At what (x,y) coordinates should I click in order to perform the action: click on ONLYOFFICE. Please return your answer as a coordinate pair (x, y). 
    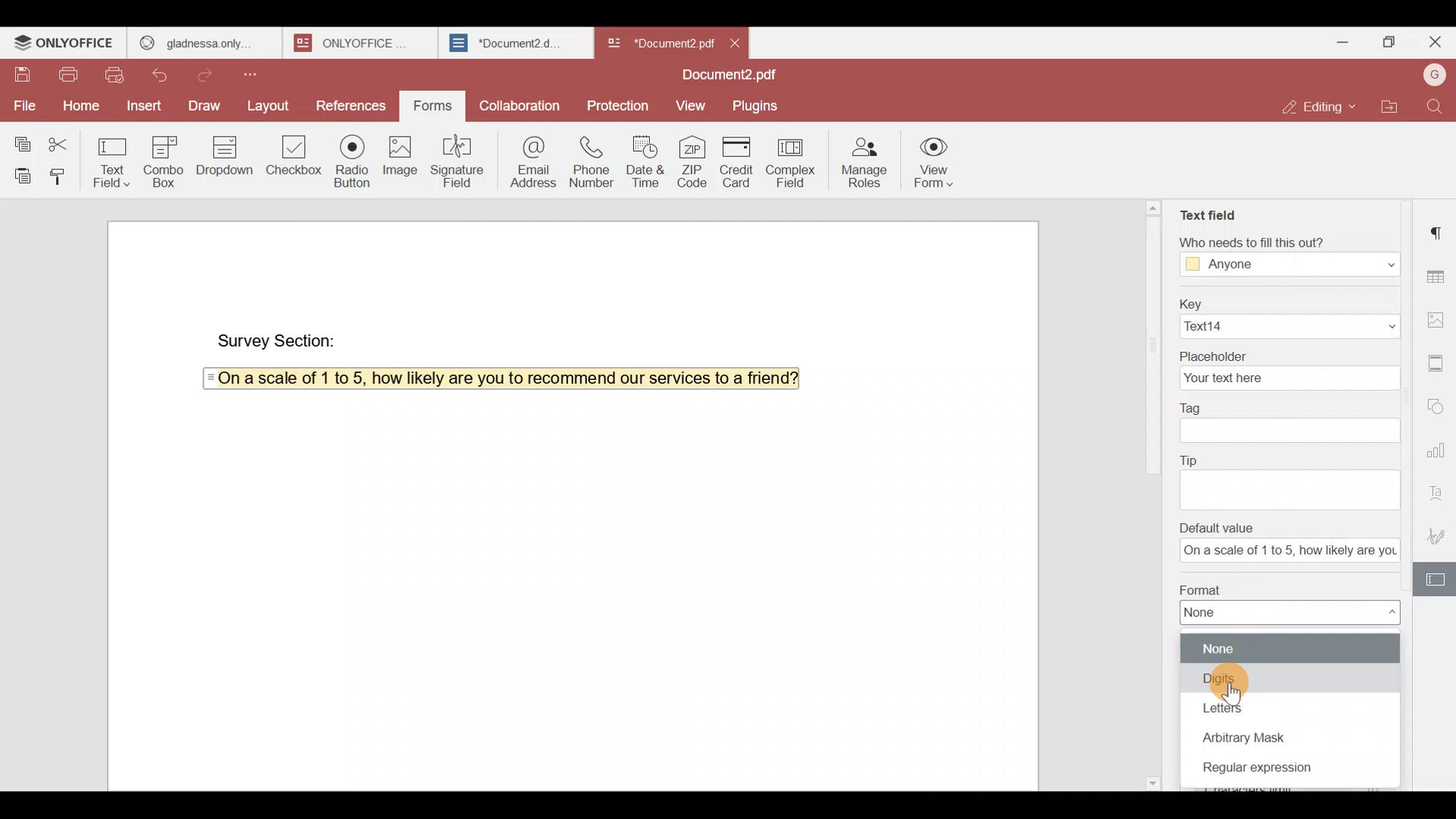
    Looking at the image, I should click on (64, 42).